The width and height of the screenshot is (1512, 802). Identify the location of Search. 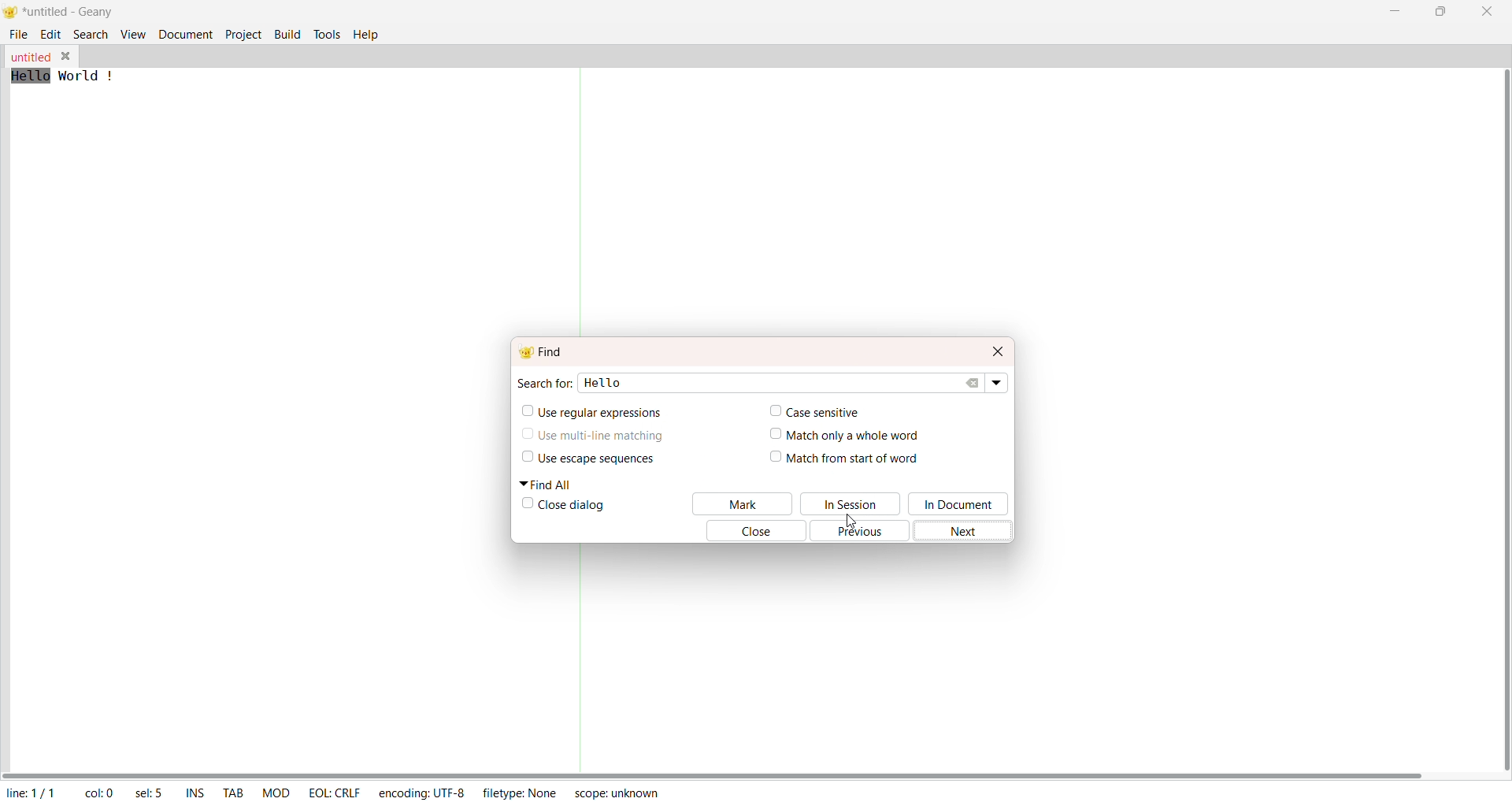
(90, 34).